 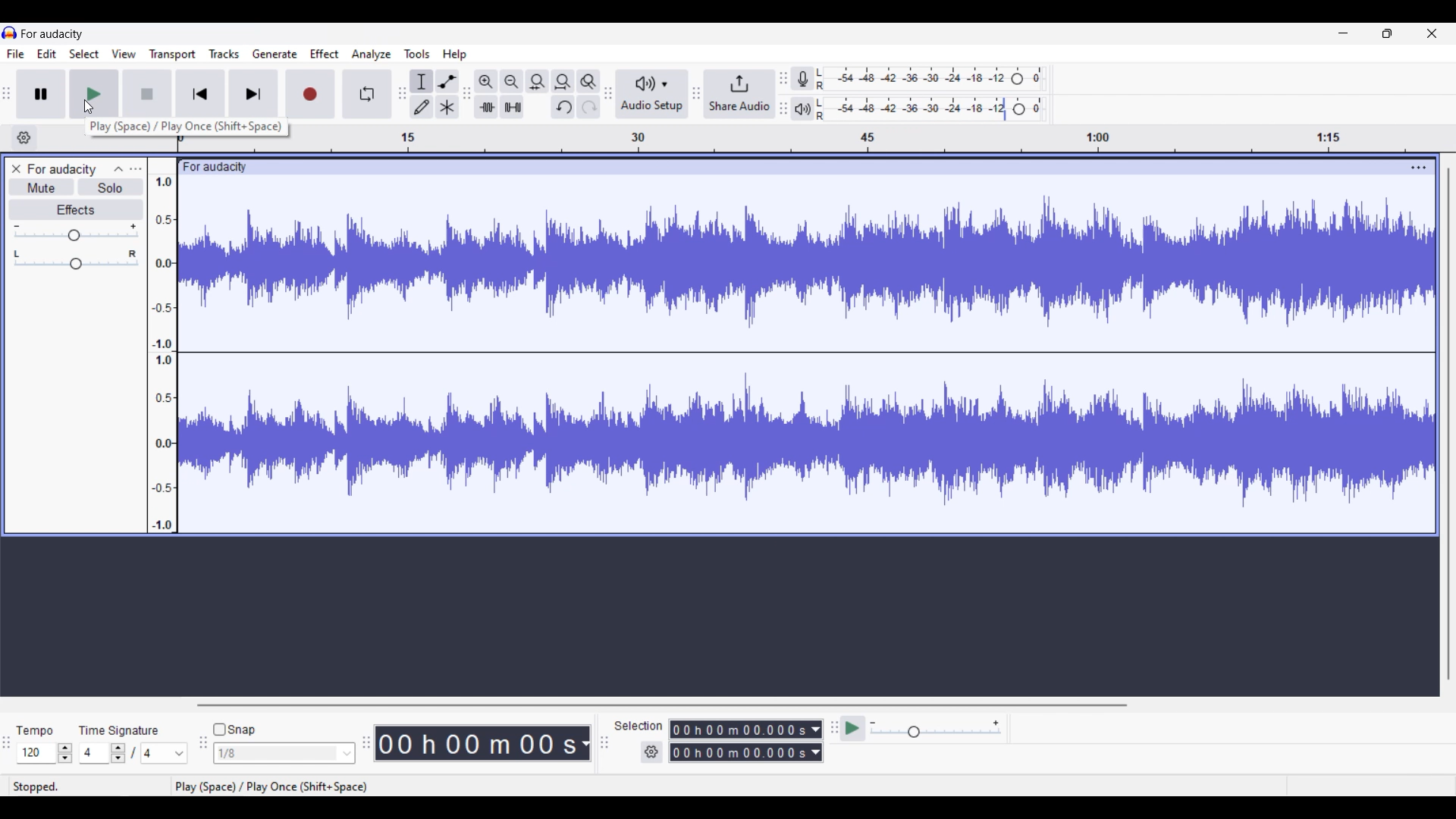 I want to click on View menu, so click(x=124, y=53).